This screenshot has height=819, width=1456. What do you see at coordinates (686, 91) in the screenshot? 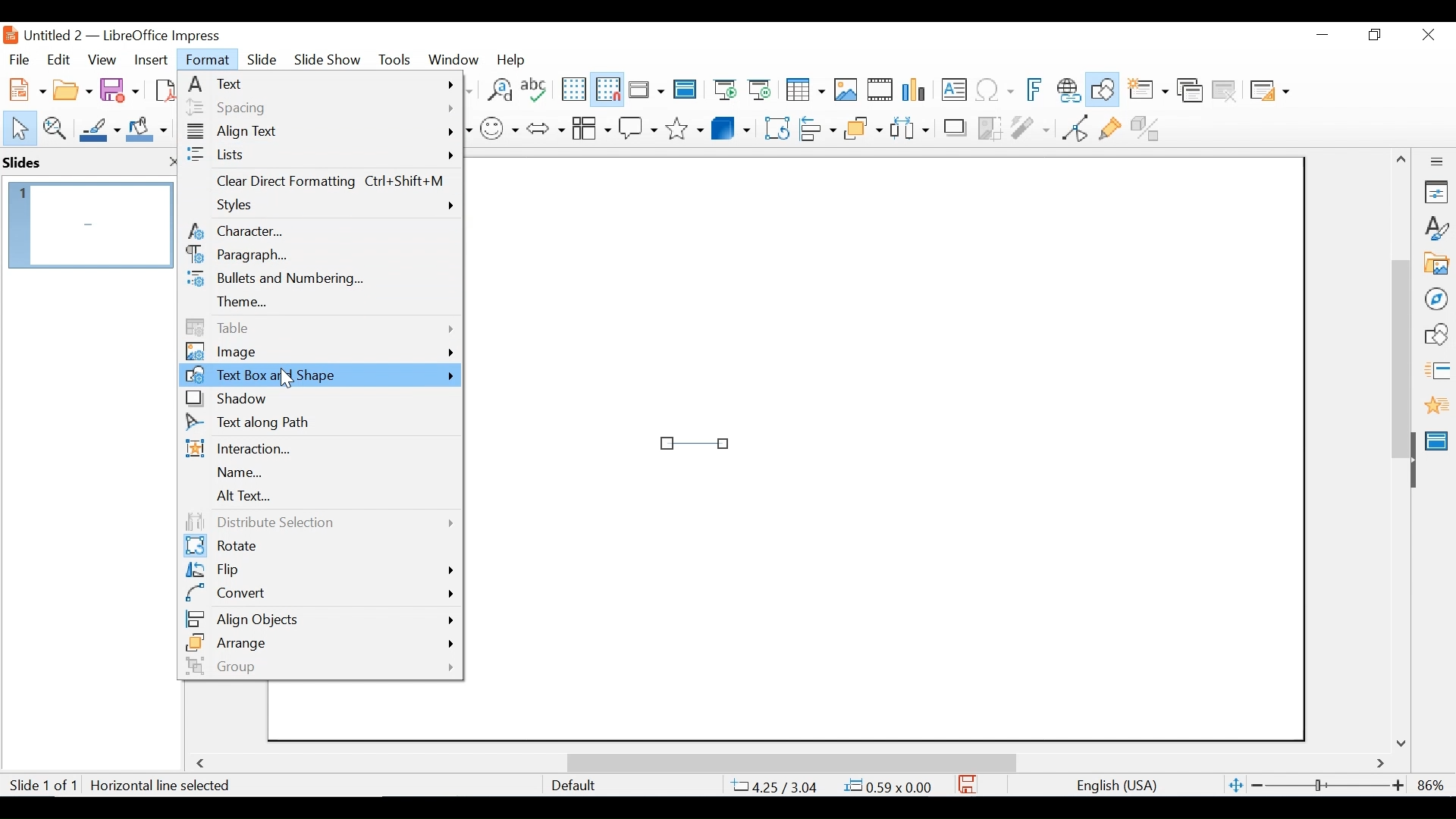
I see `Master Slides` at bounding box center [686, 91].